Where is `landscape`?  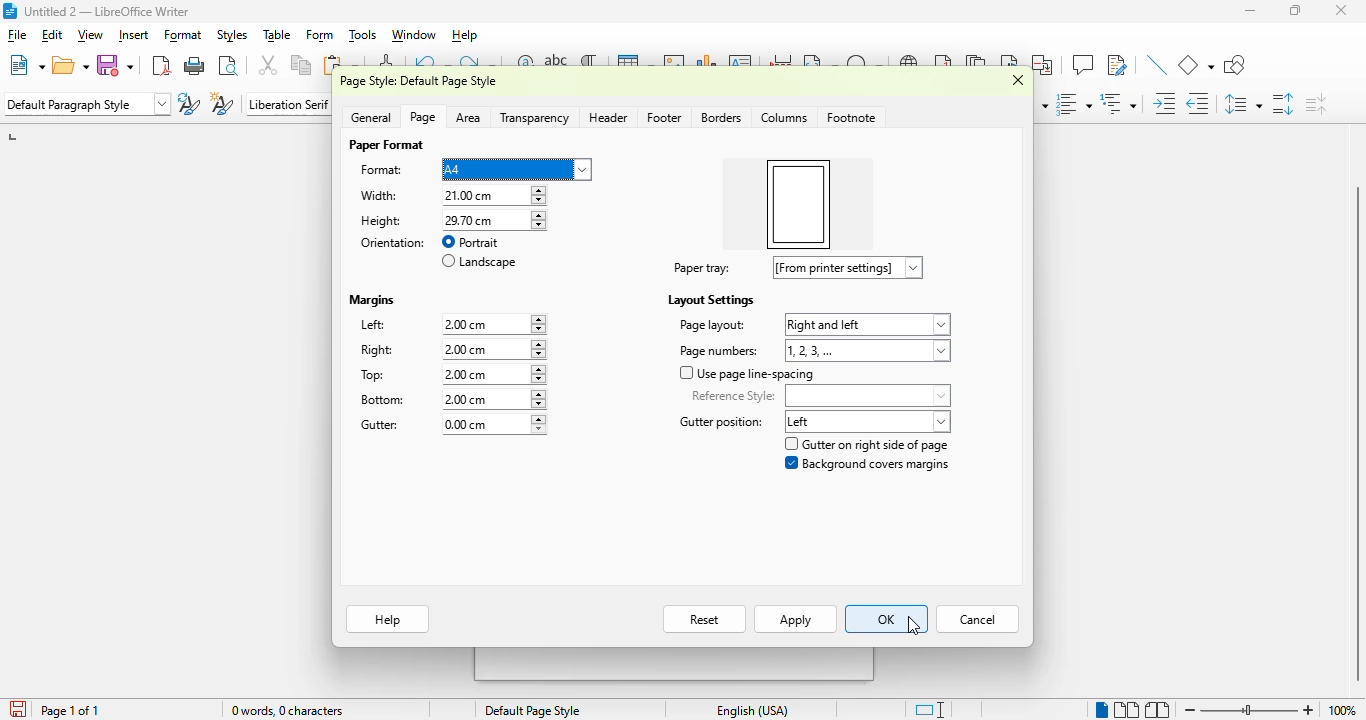 landscape is located at coordinates (480, 261).